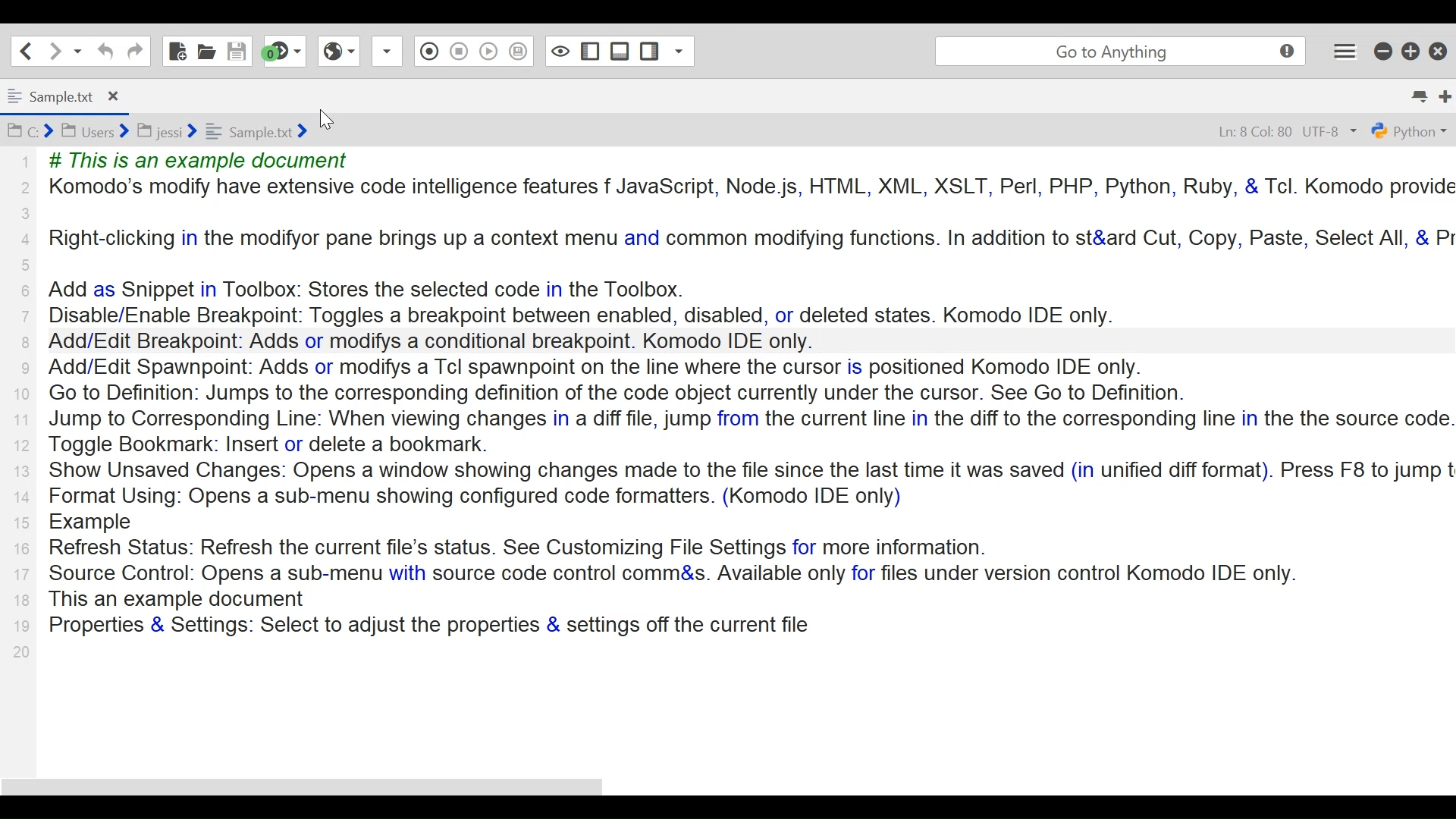 The height and width of the screenshot is (819, 1456). I want to click on Jump to next syntax checking result, so click(284, 50).